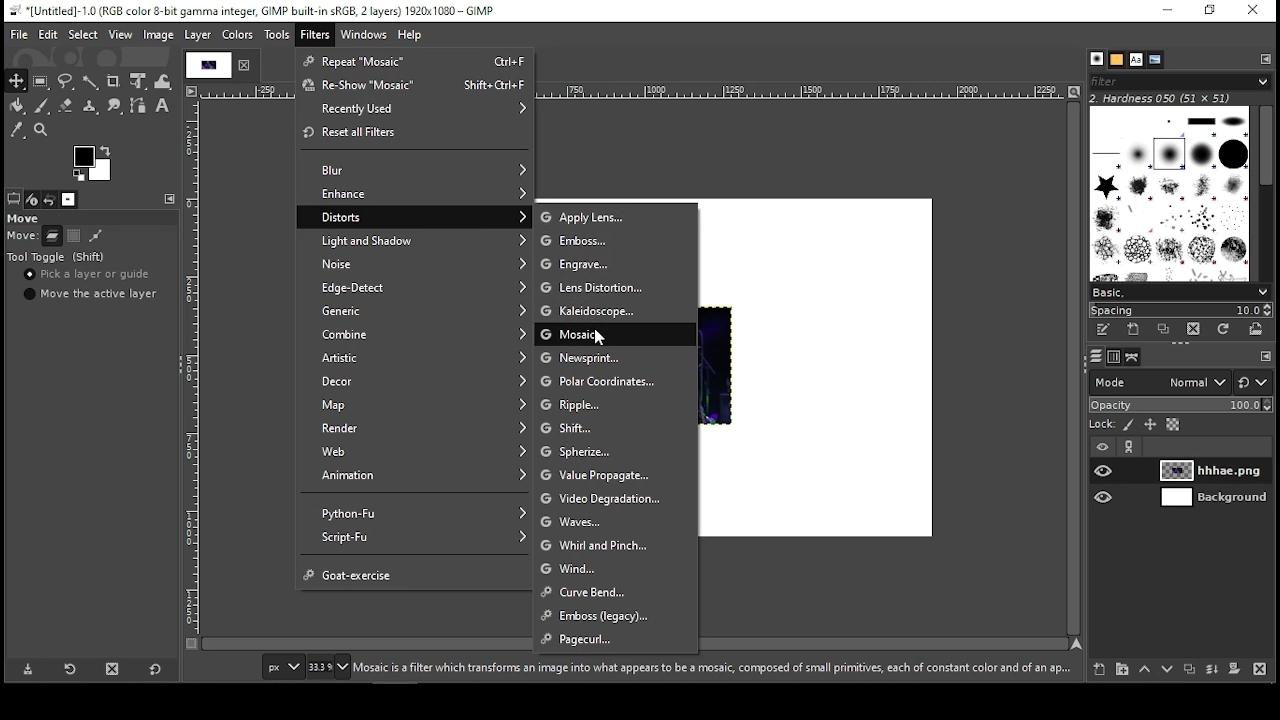 The width and height of the screenshot is (1280, 720). What do you see at coordinates (1158, 384) in the screenshot?
I see `mode` at bounding box center [1158, 384].